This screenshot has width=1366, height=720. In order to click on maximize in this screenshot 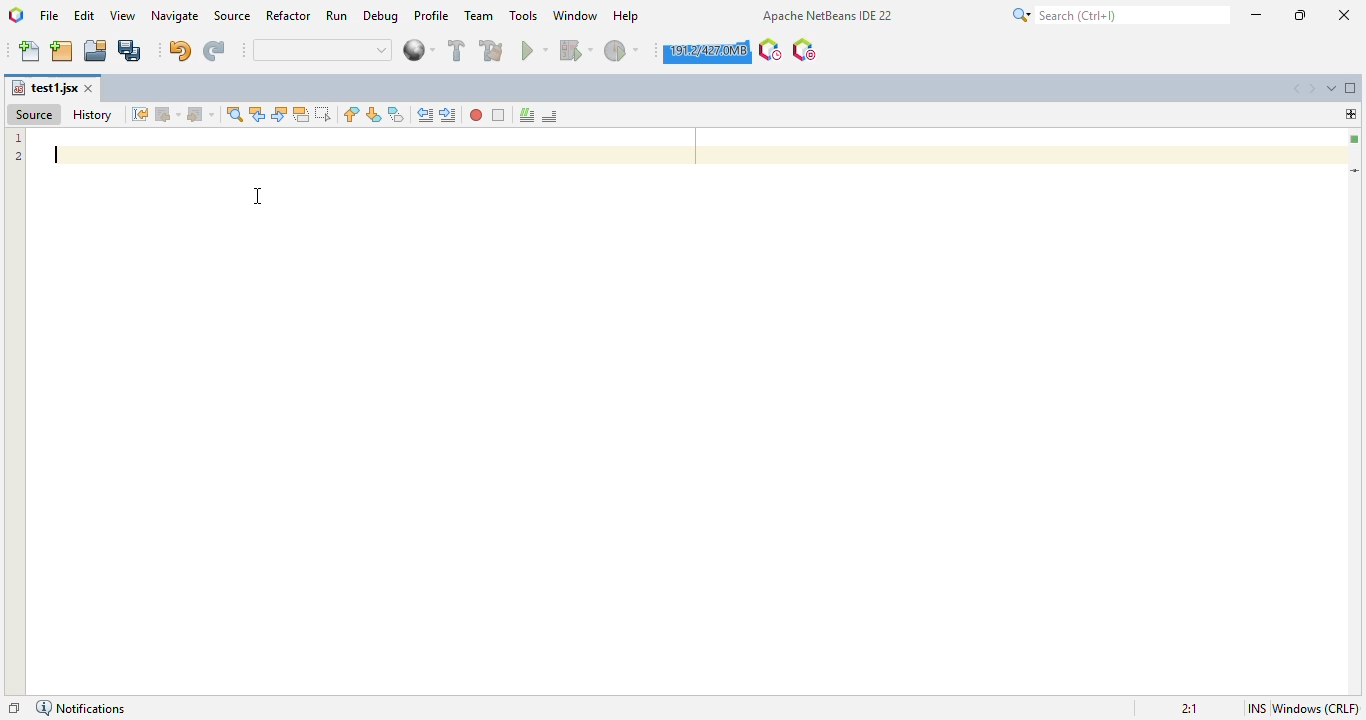, I will do `click(1300, 14)`.